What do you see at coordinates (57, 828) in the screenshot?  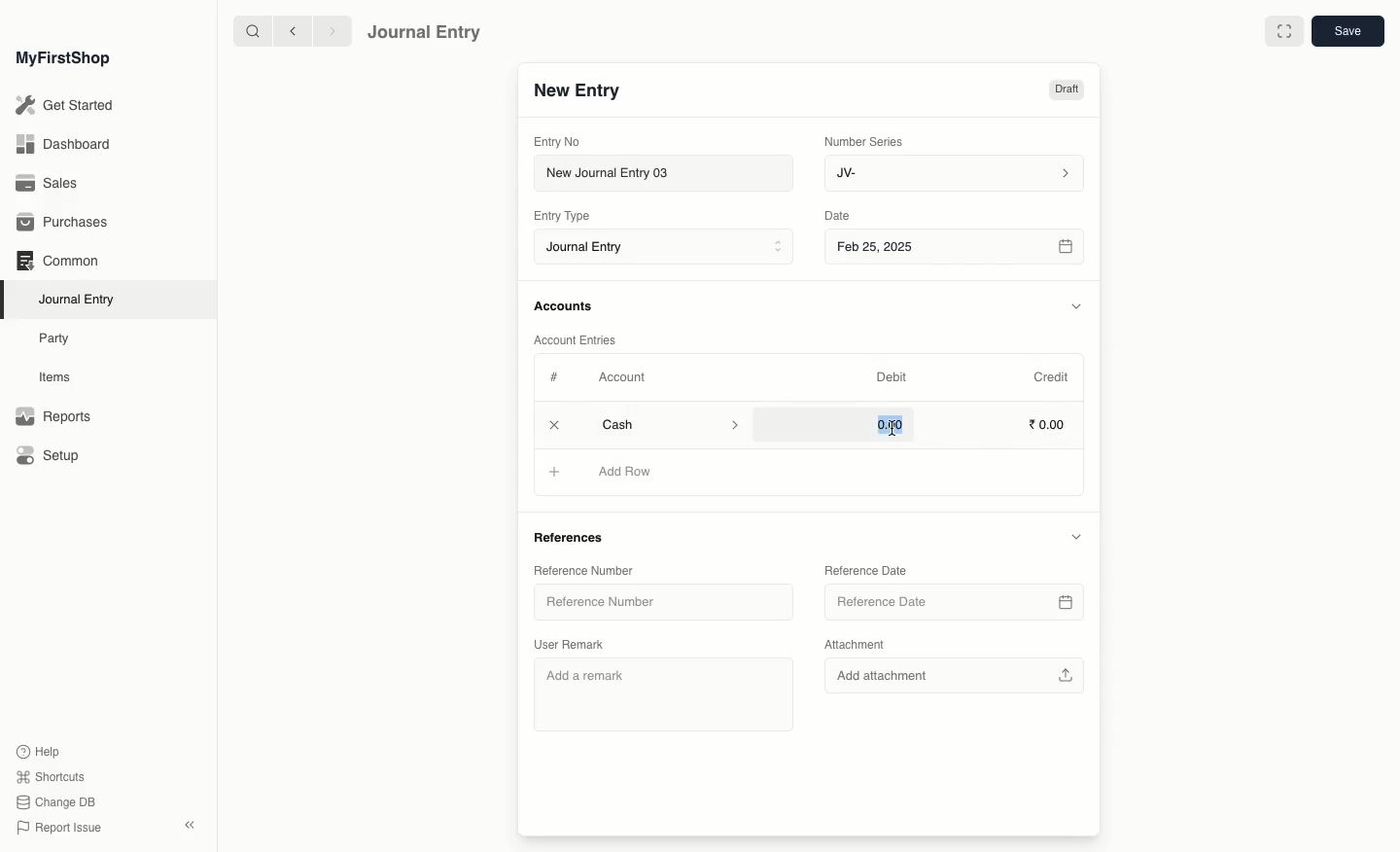 I see `Report Issue` at bounding box center [57, 828].